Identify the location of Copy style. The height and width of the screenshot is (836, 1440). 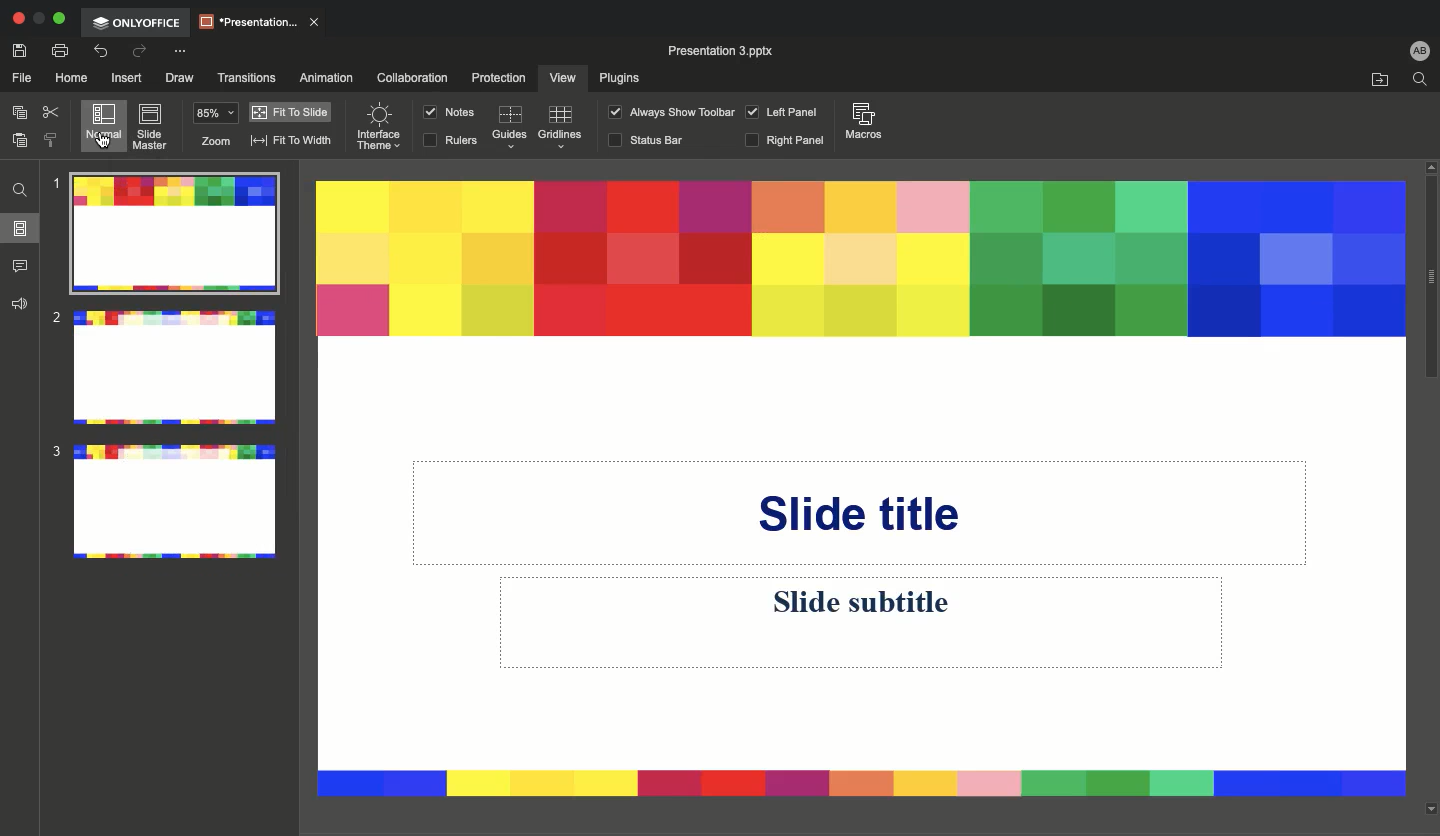
(50, 142).